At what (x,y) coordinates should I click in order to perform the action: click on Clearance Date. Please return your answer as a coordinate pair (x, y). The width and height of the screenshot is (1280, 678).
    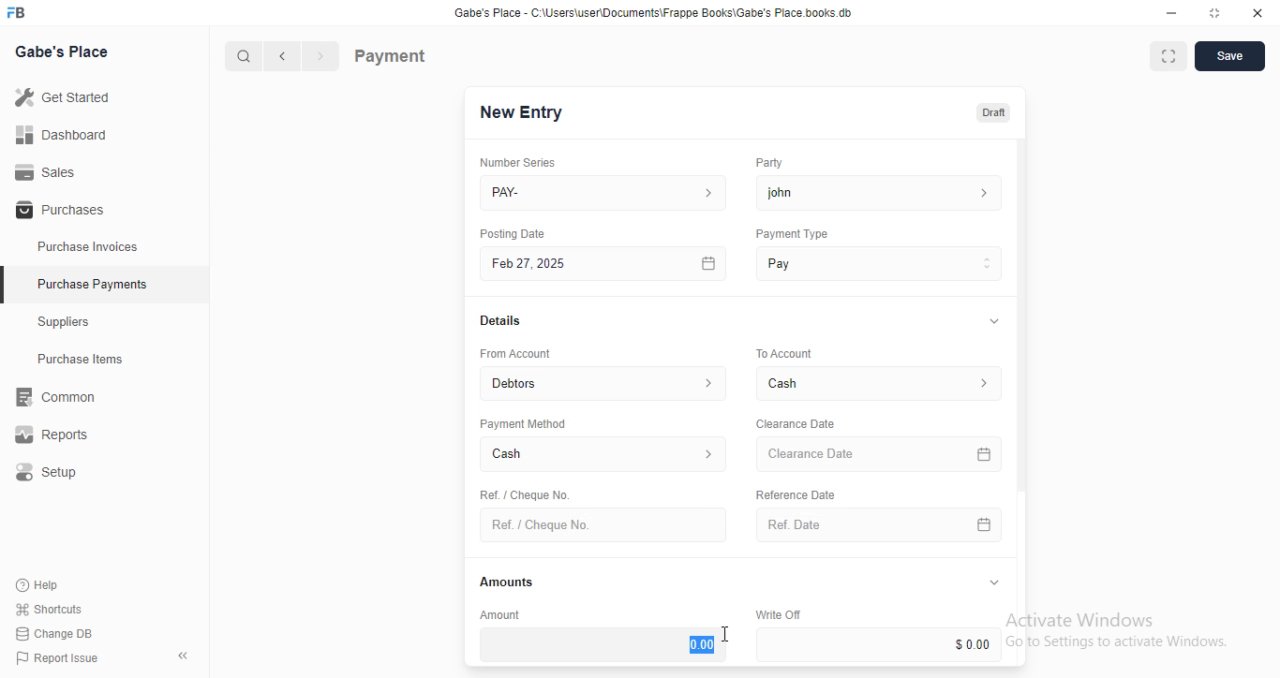
    Looking at the image, I should click on (794, 424).